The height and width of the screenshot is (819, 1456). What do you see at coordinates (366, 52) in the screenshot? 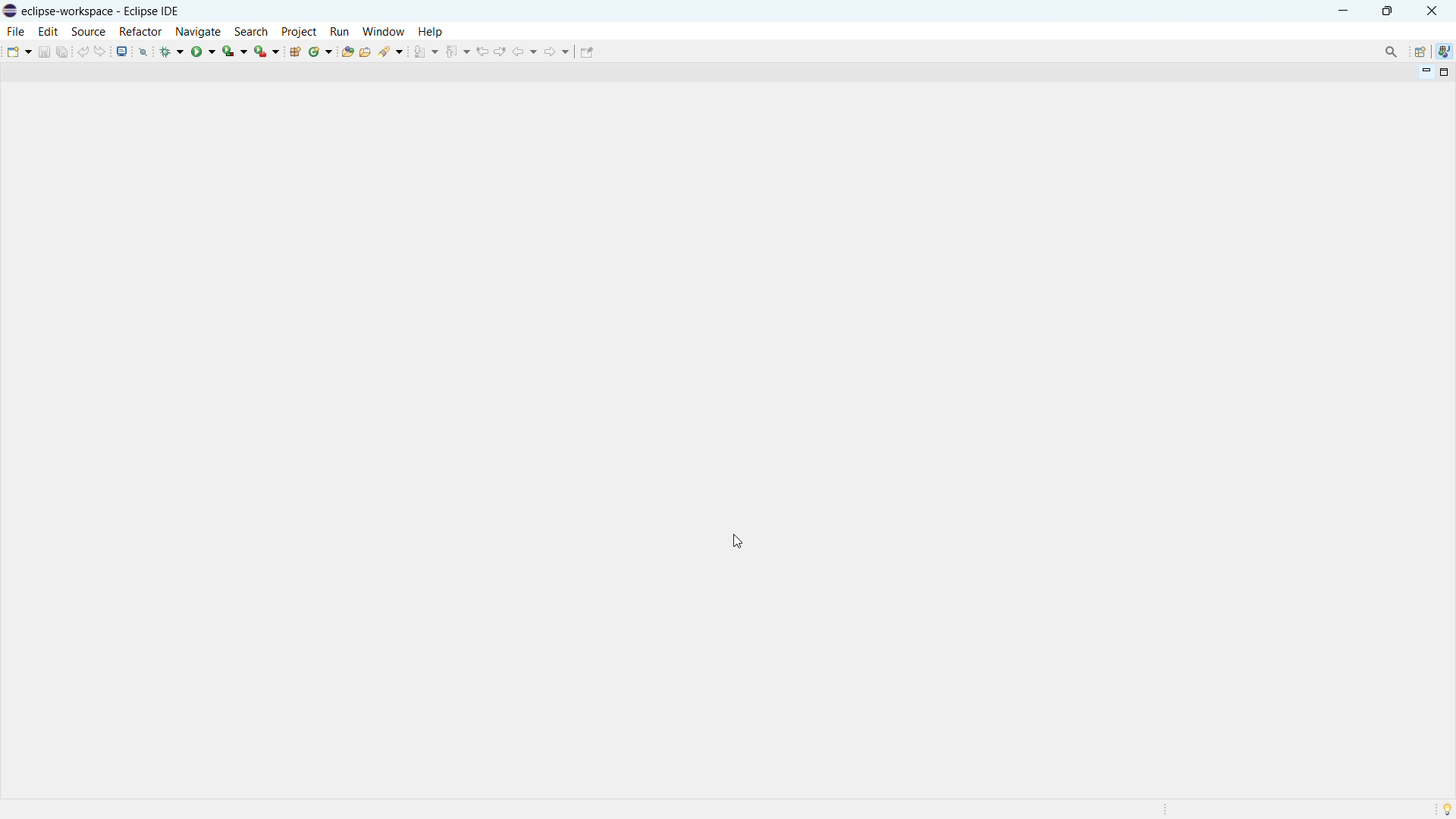
I see `open task` at bounding box center [366, 52].